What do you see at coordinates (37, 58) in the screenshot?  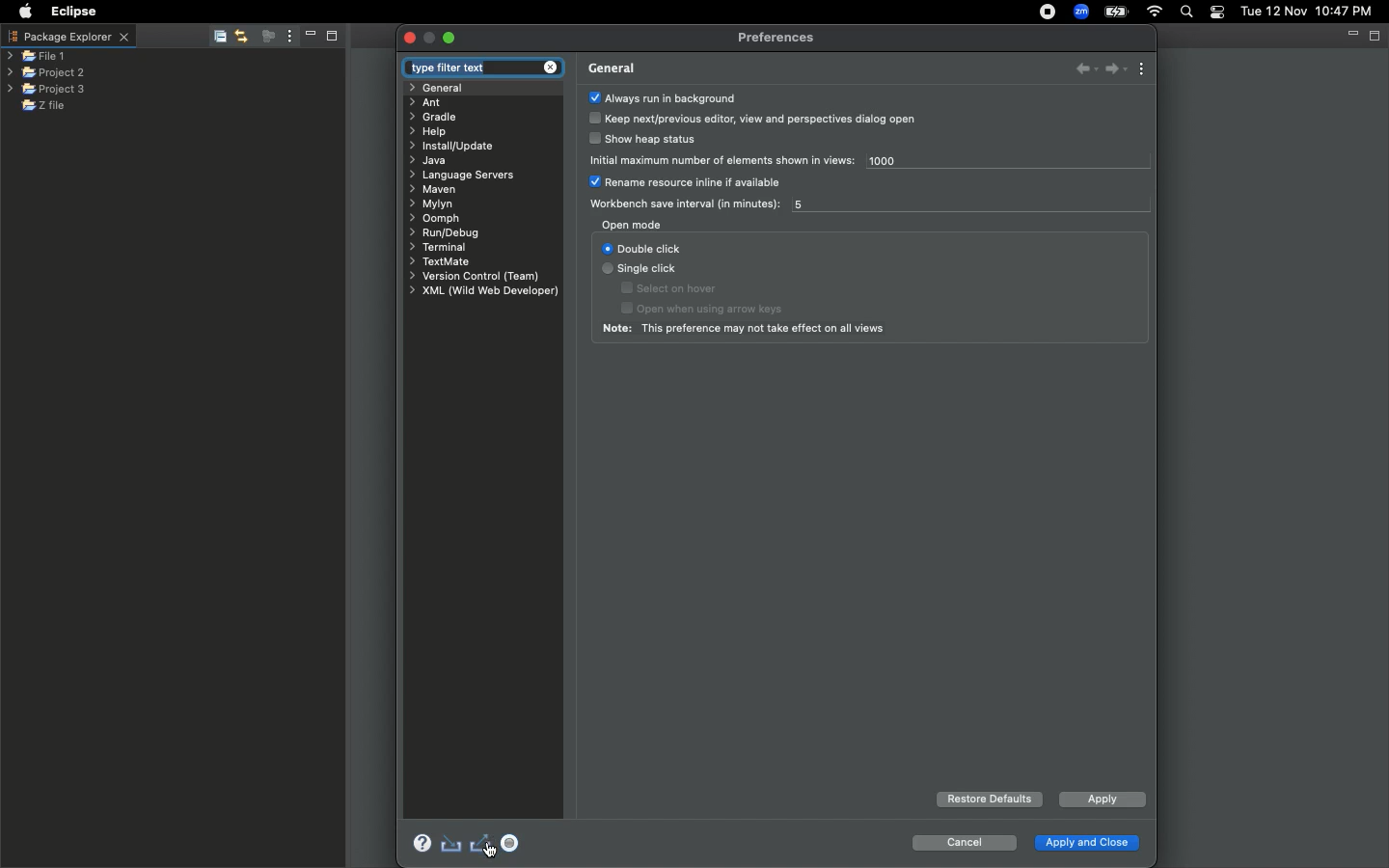 I see `File 1` at bounding box center [37, 58].